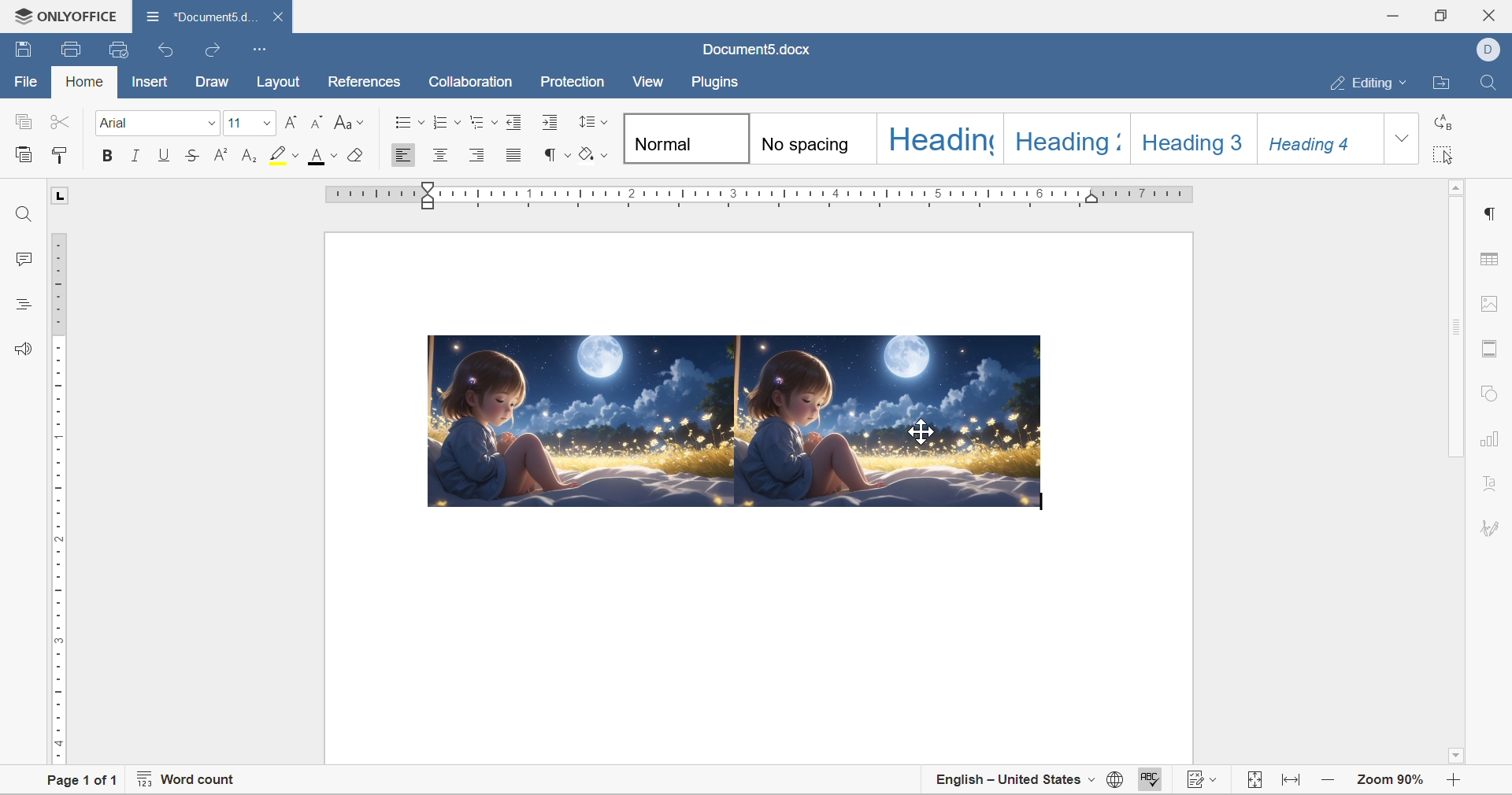 The image size is (1512, 795). What do you see at coordinates (261, 50) in the screenshot?
I see `customize quick access toolbar` at bounding box center [261, 50].